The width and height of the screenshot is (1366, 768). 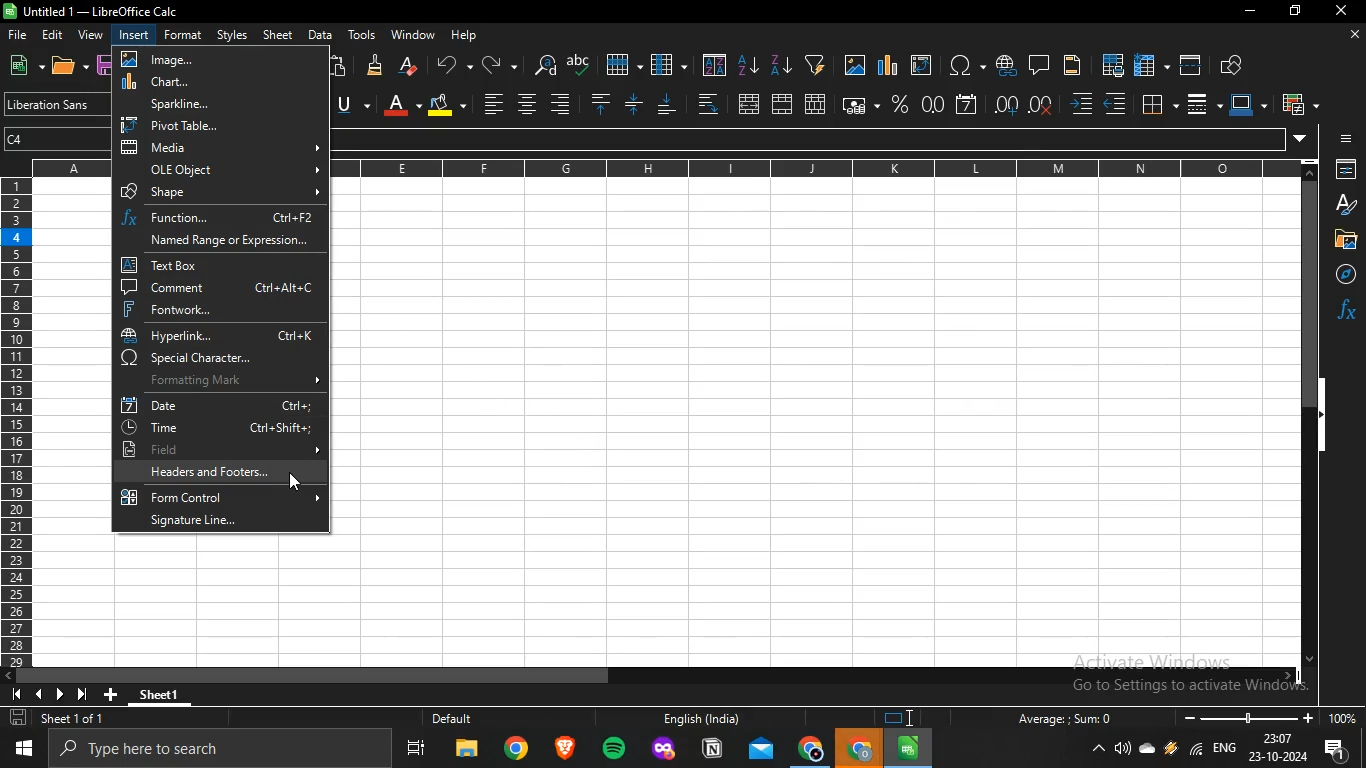 I want to click on time, so click(x=214, y=427).